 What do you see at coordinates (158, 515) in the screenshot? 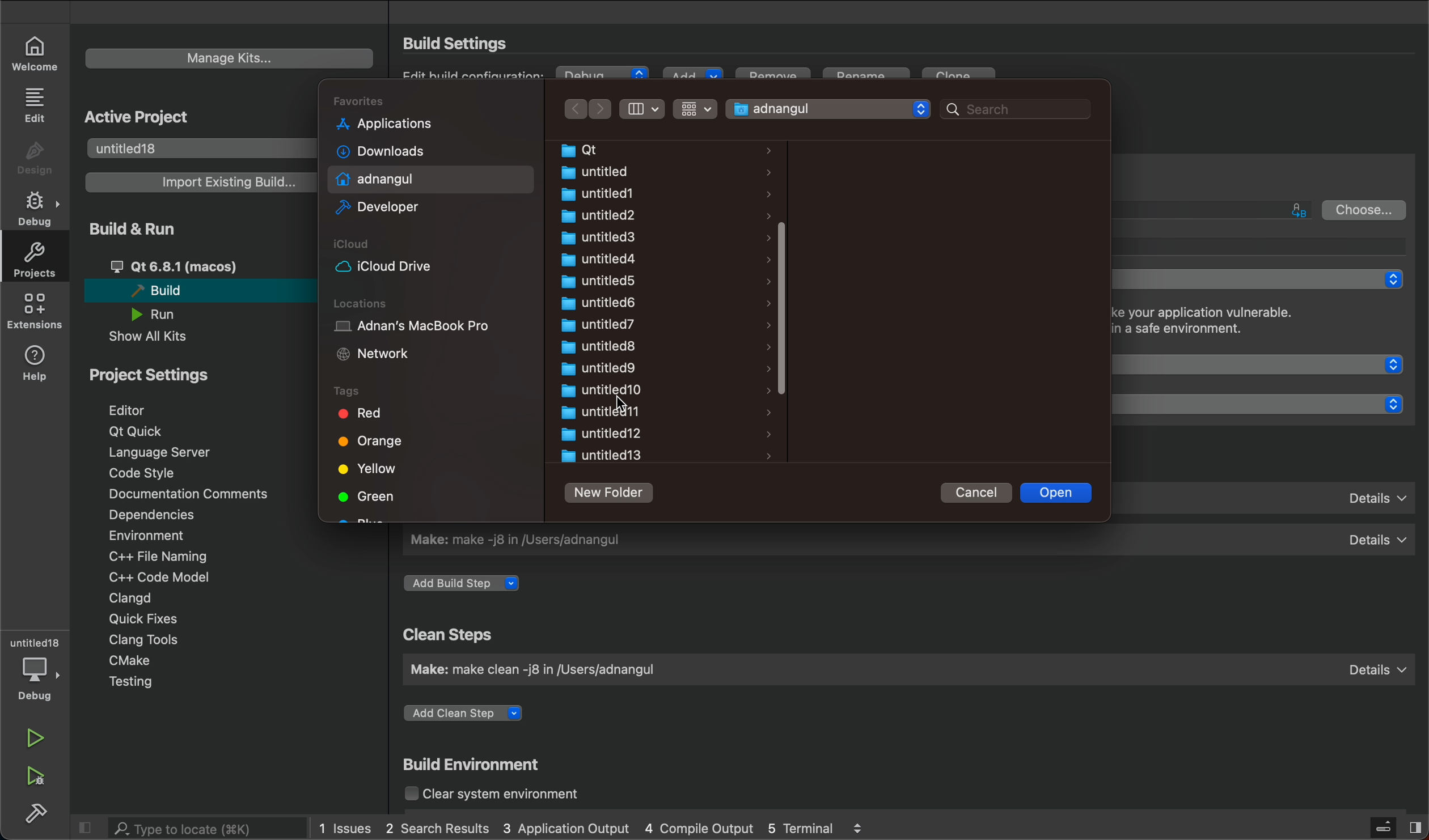
I see `dependencies` at bounding box center [158, 515].